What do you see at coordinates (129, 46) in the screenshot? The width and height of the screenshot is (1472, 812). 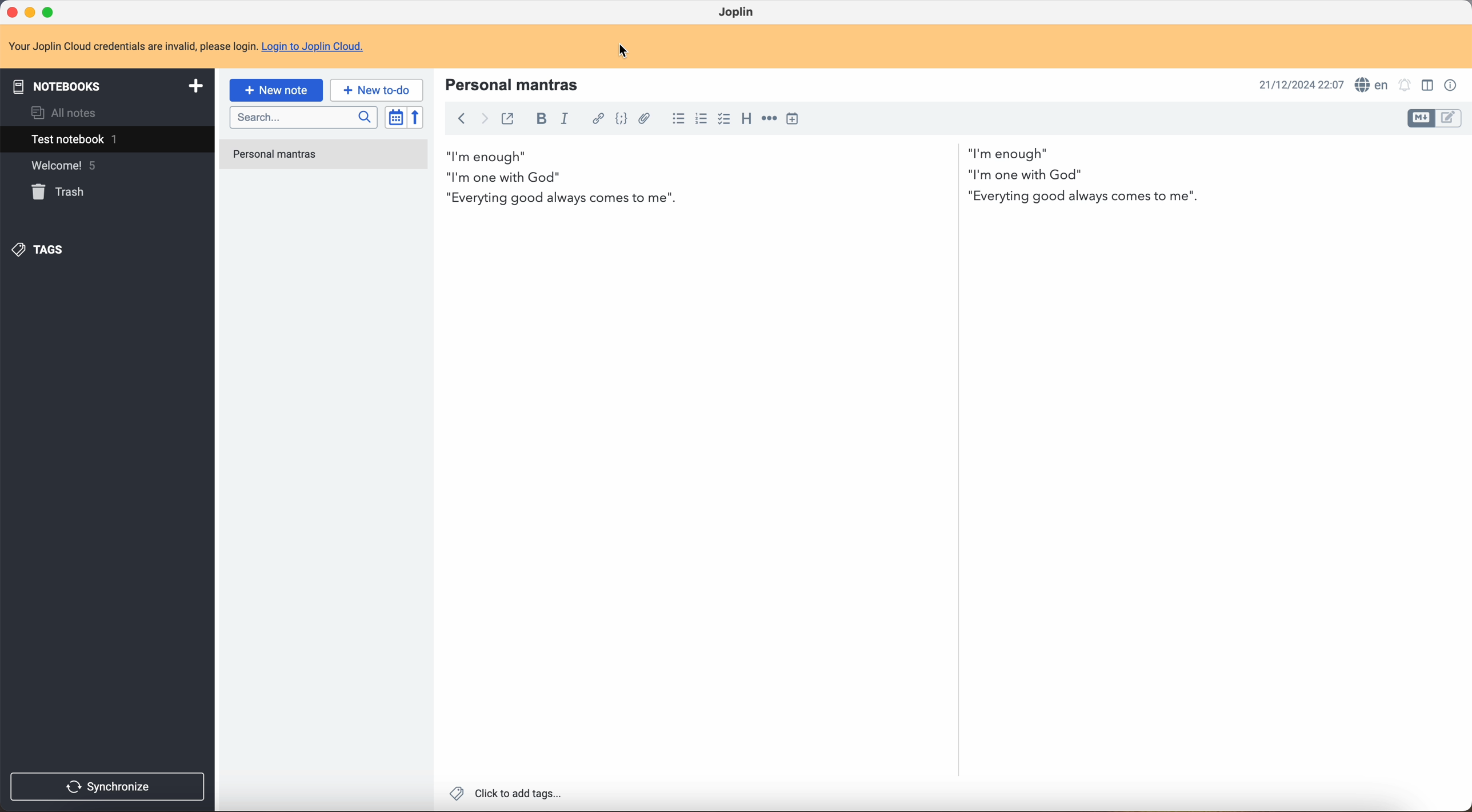 I see `note` at bounding box center [129, 46].